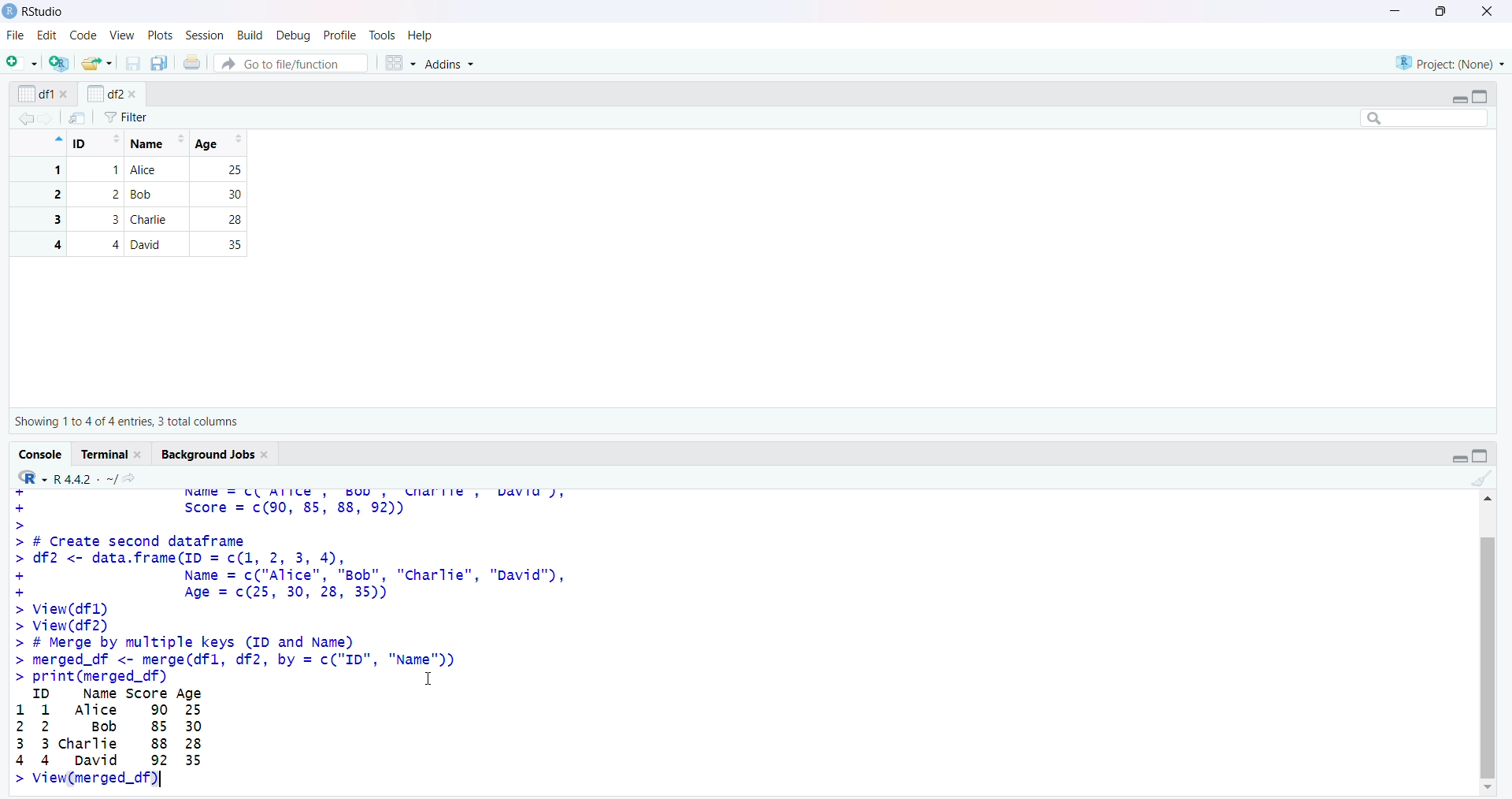 This screenshot has width=1512, height=799. Describe the element at coordinates (1479, 97) in the screenshot. I see `toggle full view` at that location.